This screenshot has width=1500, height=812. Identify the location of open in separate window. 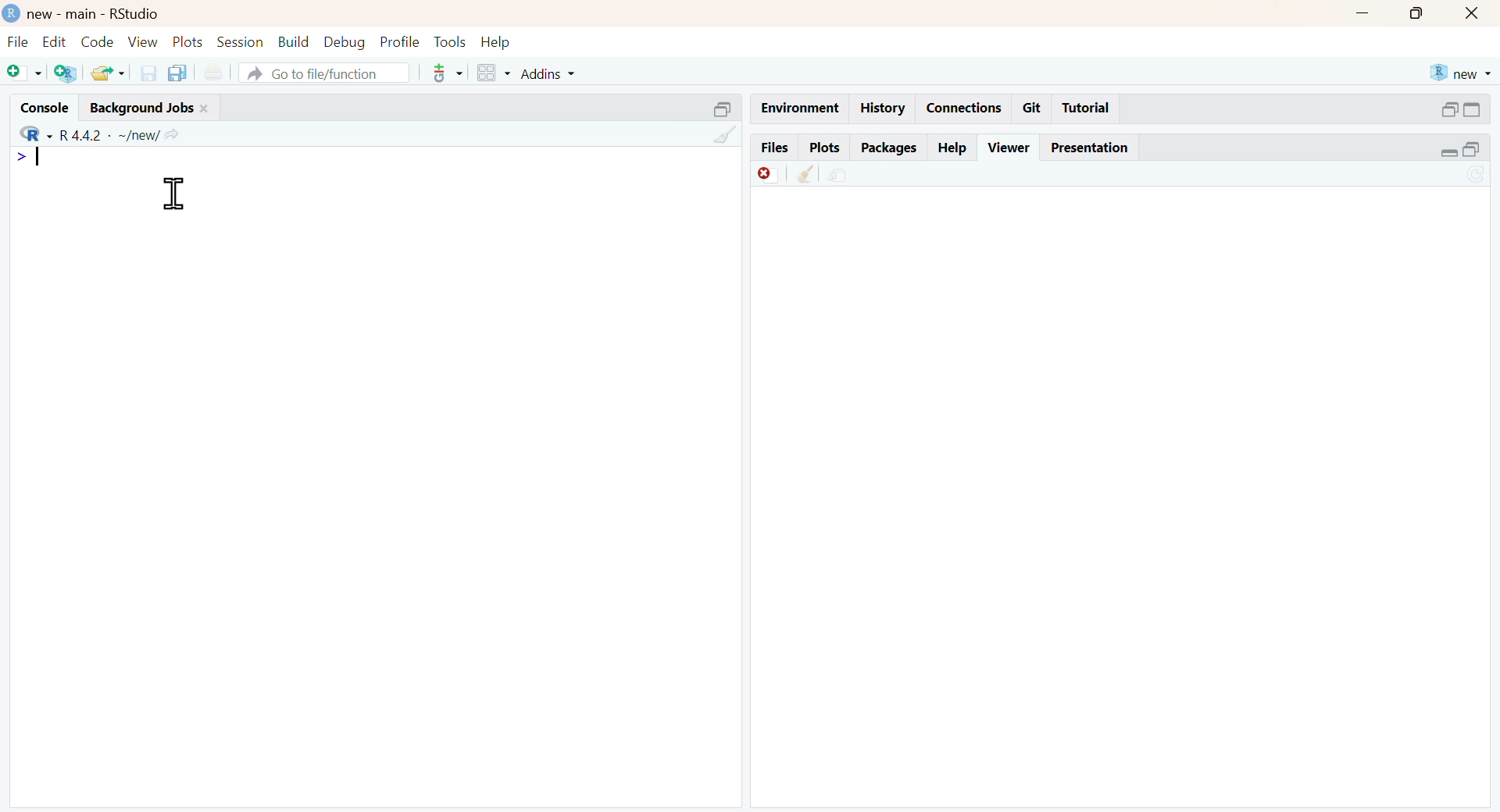
(1451, 109).